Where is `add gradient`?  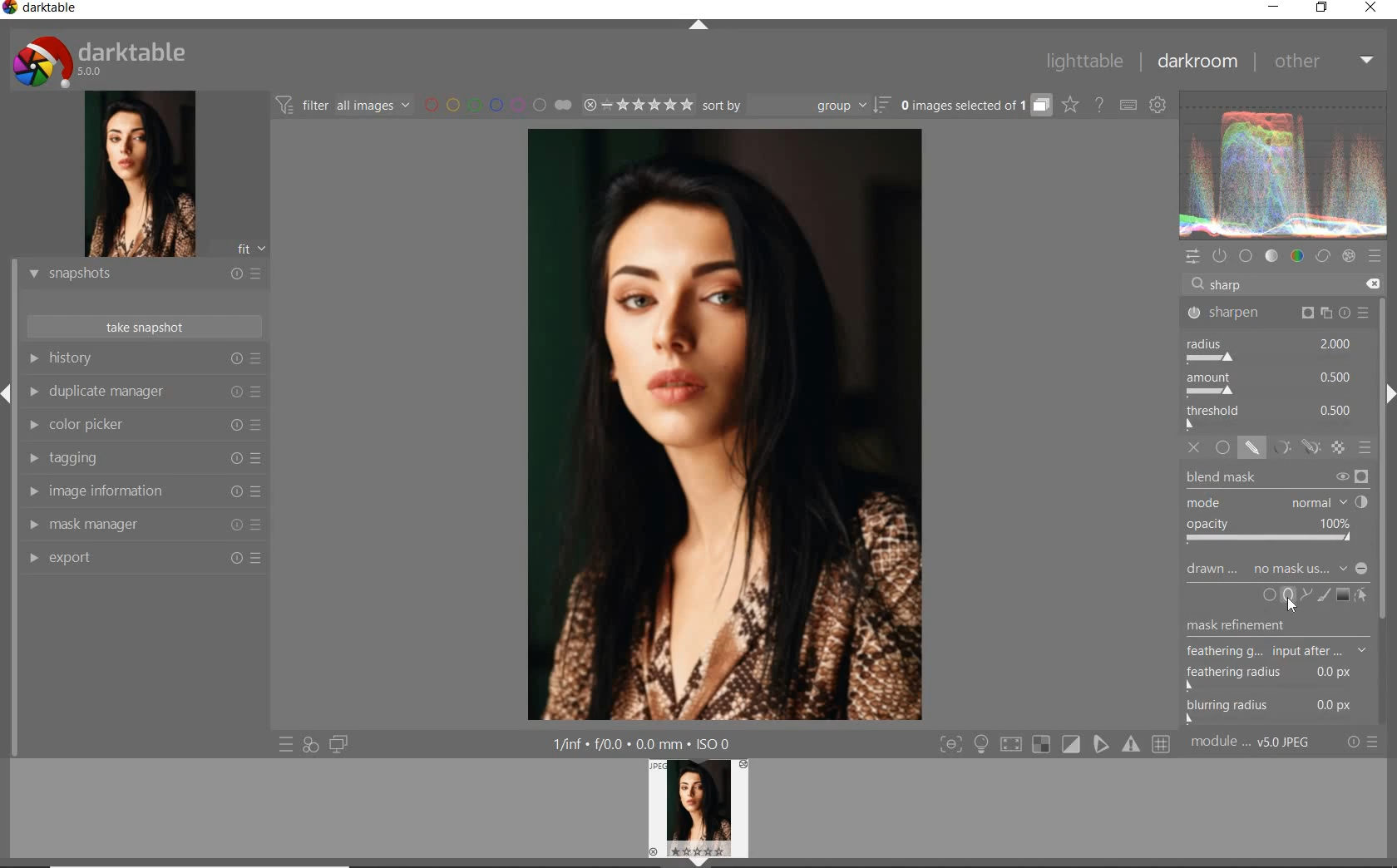
add gradient is located at coordinates (1344, 594).